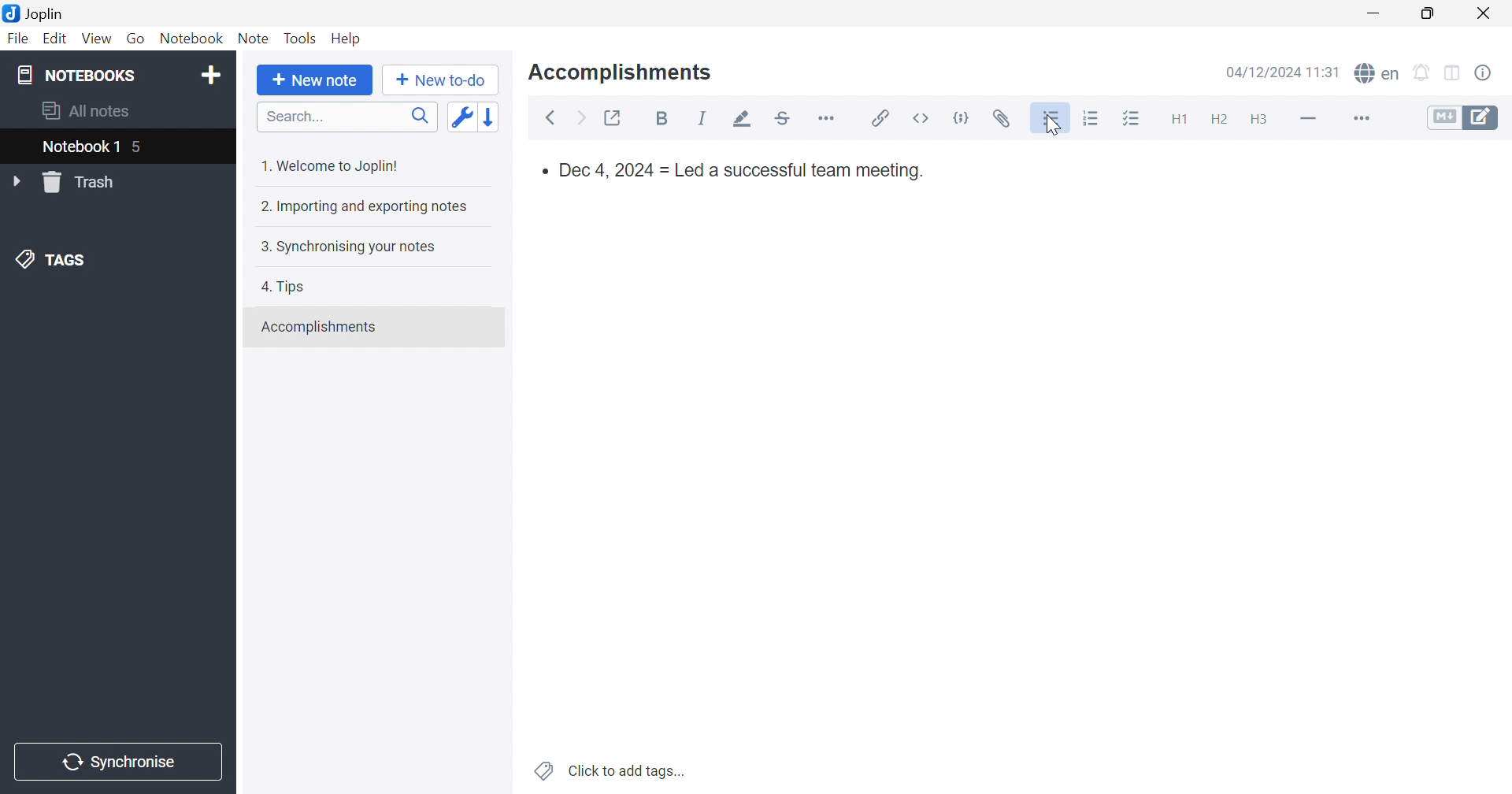 Image resolution: width=1512 pixels, height=794 pixels. What do you see at coordinates (1135, 120) in the screenshot?
I see `Checkbox list` at bounding box center [1135, 120].